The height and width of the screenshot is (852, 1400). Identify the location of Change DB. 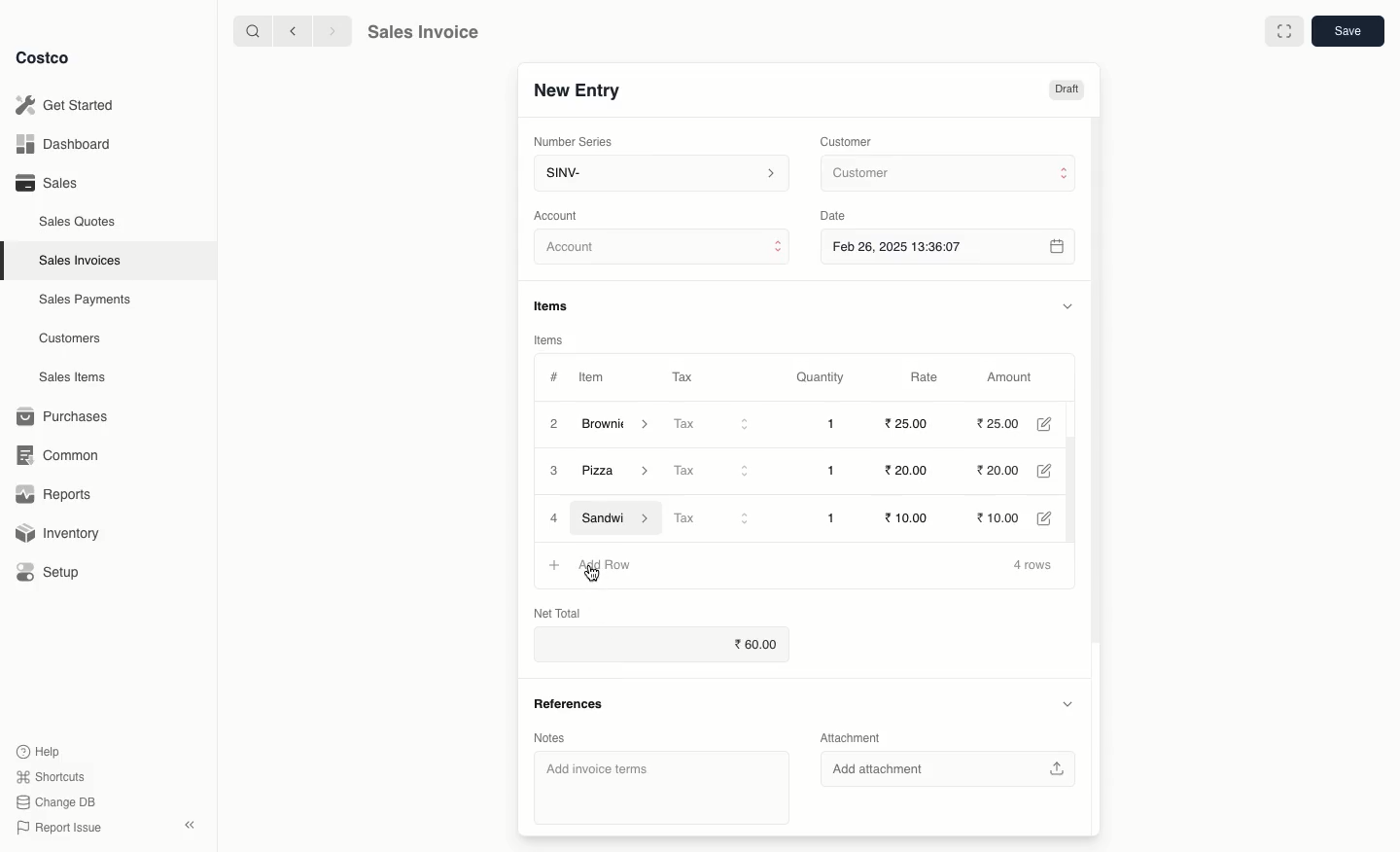
(52, 800).